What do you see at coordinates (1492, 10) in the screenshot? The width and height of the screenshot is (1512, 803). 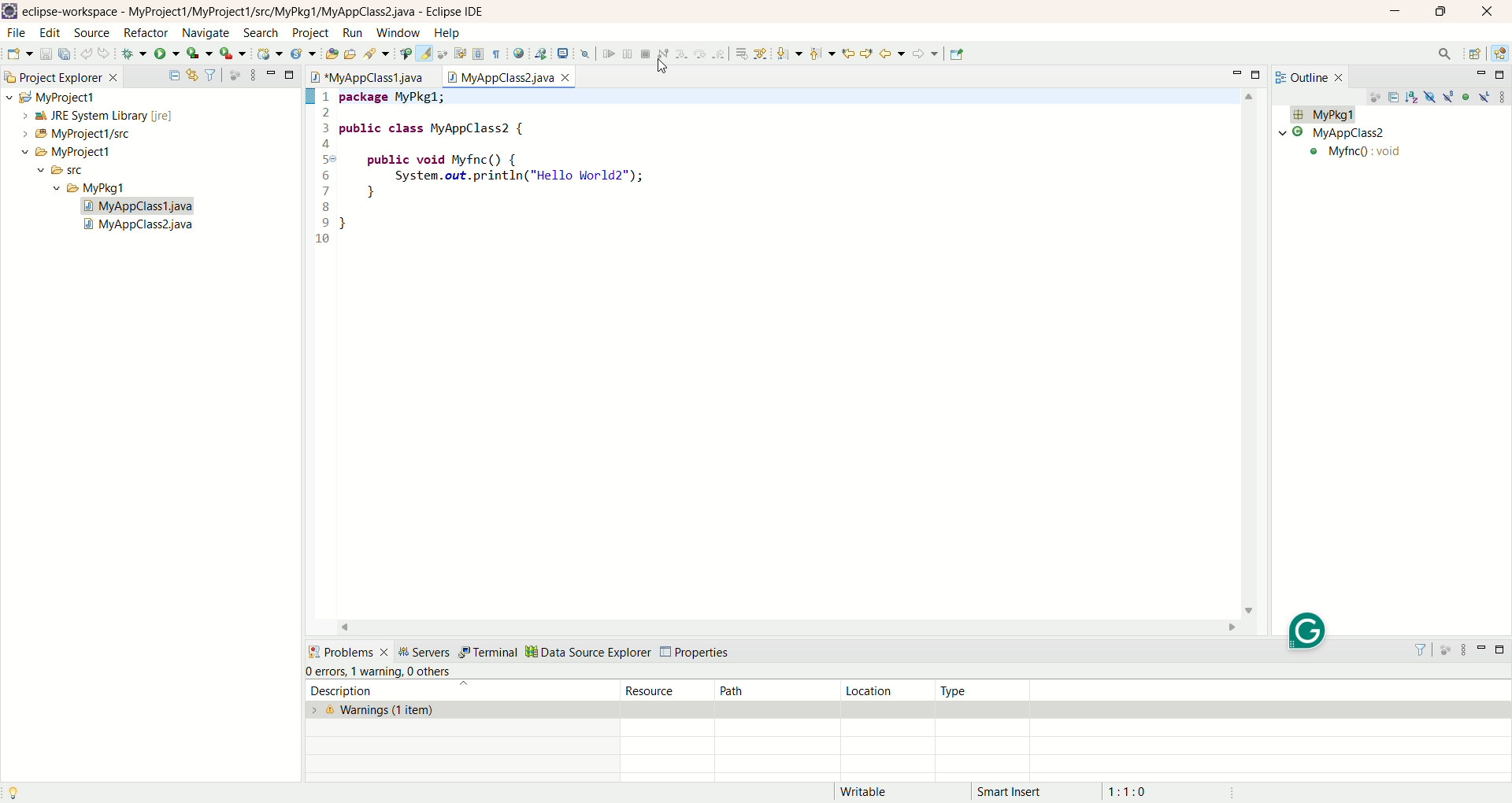 I see `close` at bounding box center [1492, 10].